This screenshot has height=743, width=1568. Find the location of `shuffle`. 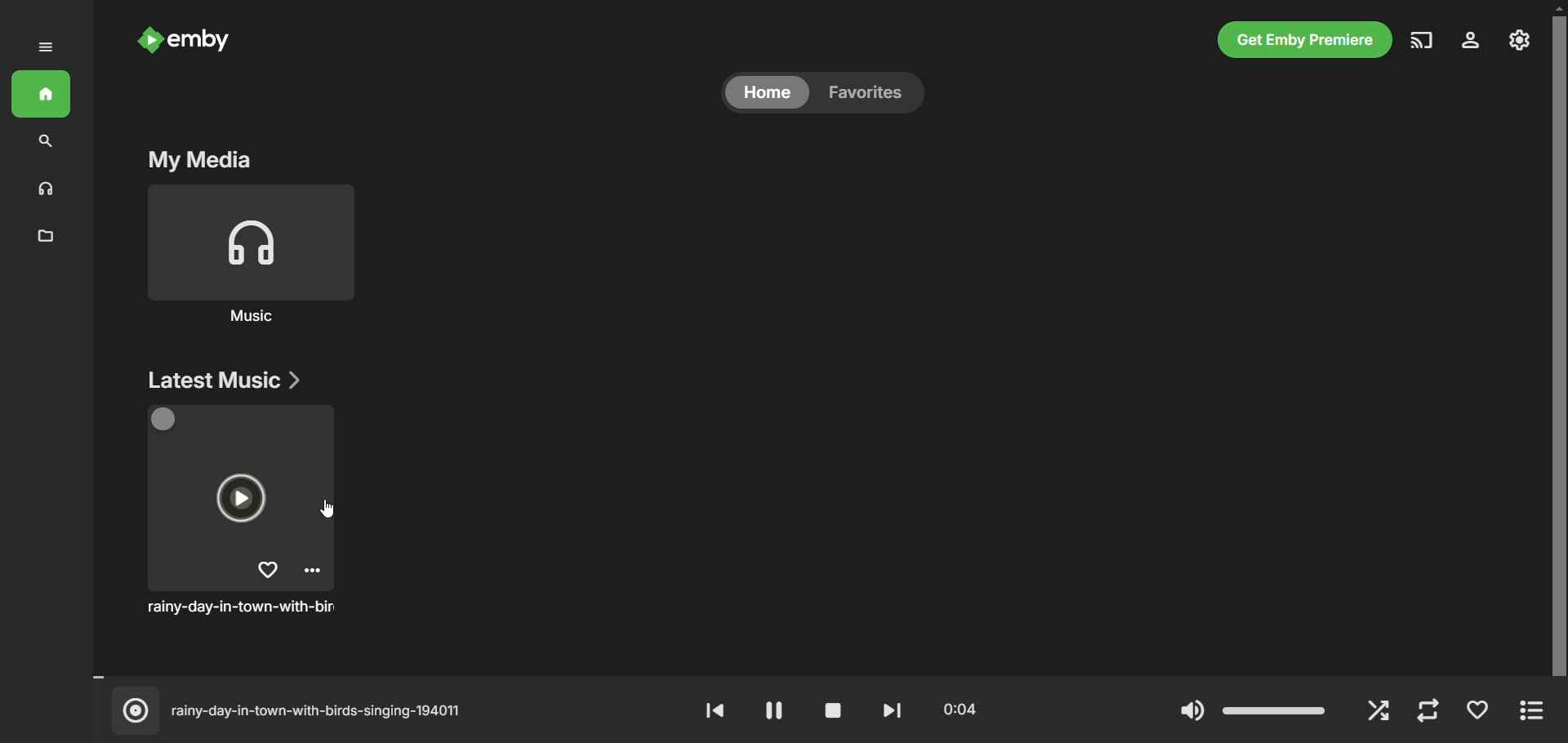

shuffle is located at coordinates (1380, 711).